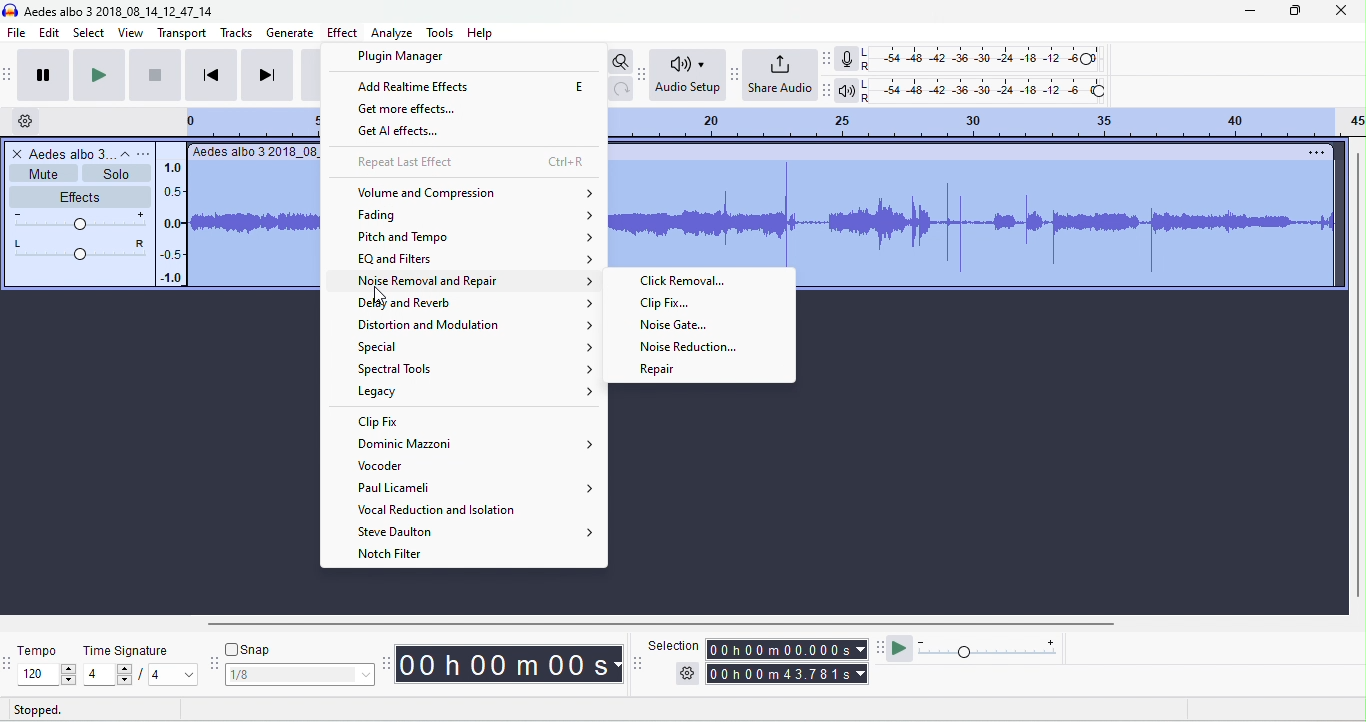 Image resolution: width=1366 pixels, height=722 pixels. Describe the element at coordinates (40, 175) in the screenshot. I see `mute` at that location.